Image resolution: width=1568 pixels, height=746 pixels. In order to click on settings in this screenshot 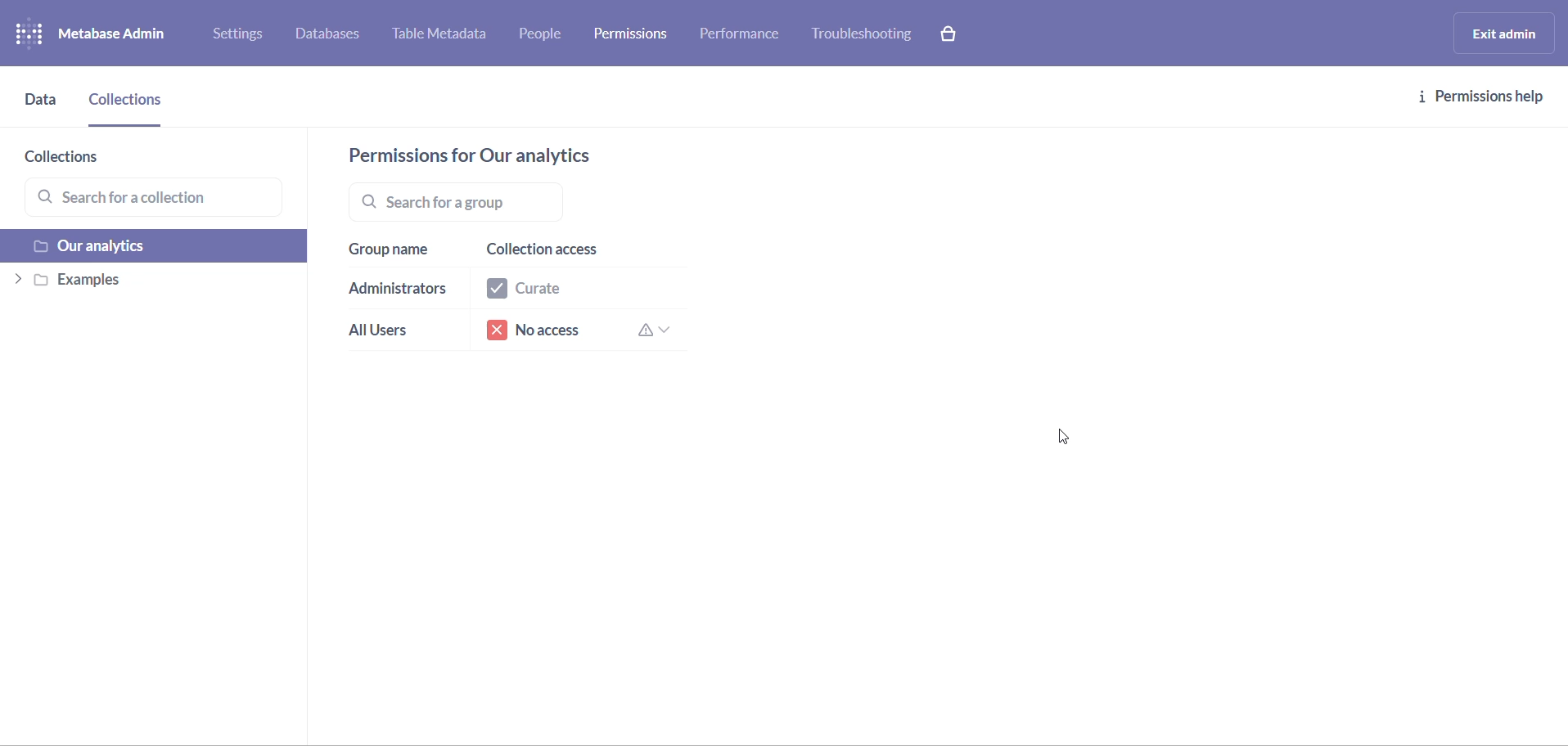, I will do `click(244, 37)`.